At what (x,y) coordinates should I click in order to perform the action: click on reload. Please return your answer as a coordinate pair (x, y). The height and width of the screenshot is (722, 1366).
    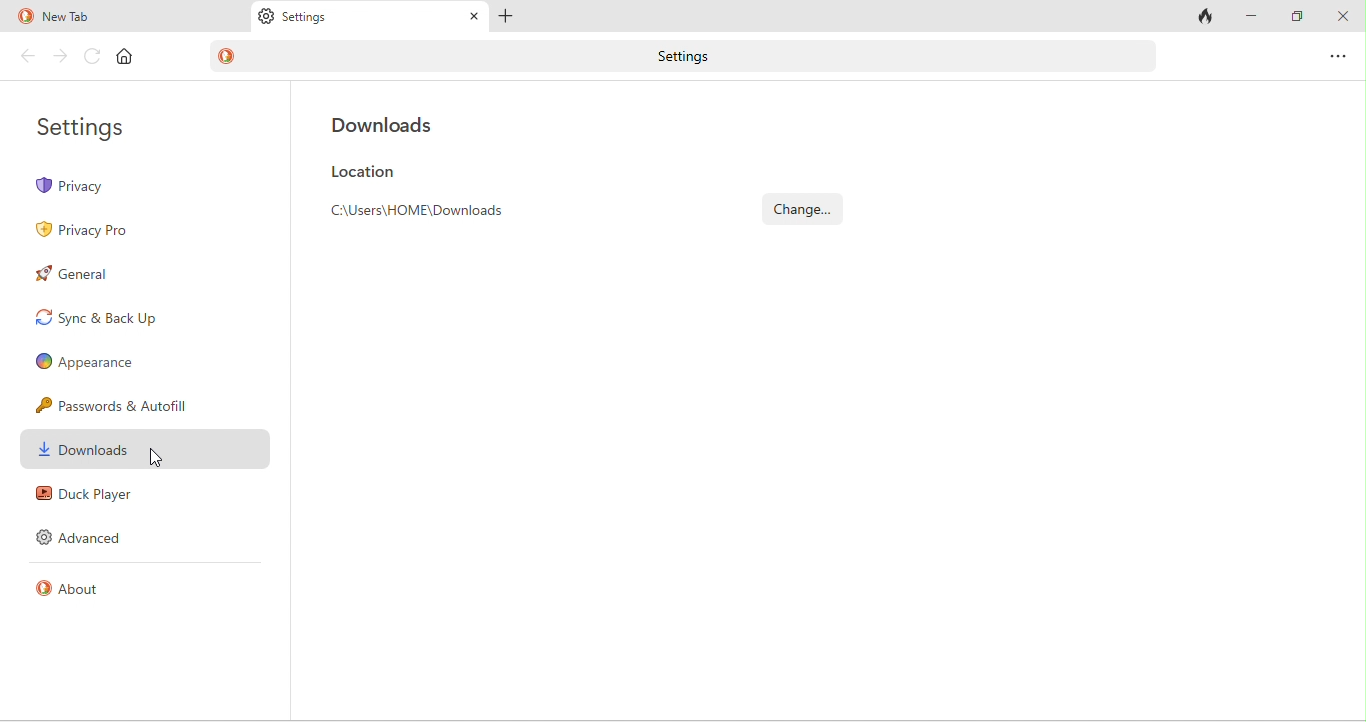
    Looking at the image, I should click on (97, 57).